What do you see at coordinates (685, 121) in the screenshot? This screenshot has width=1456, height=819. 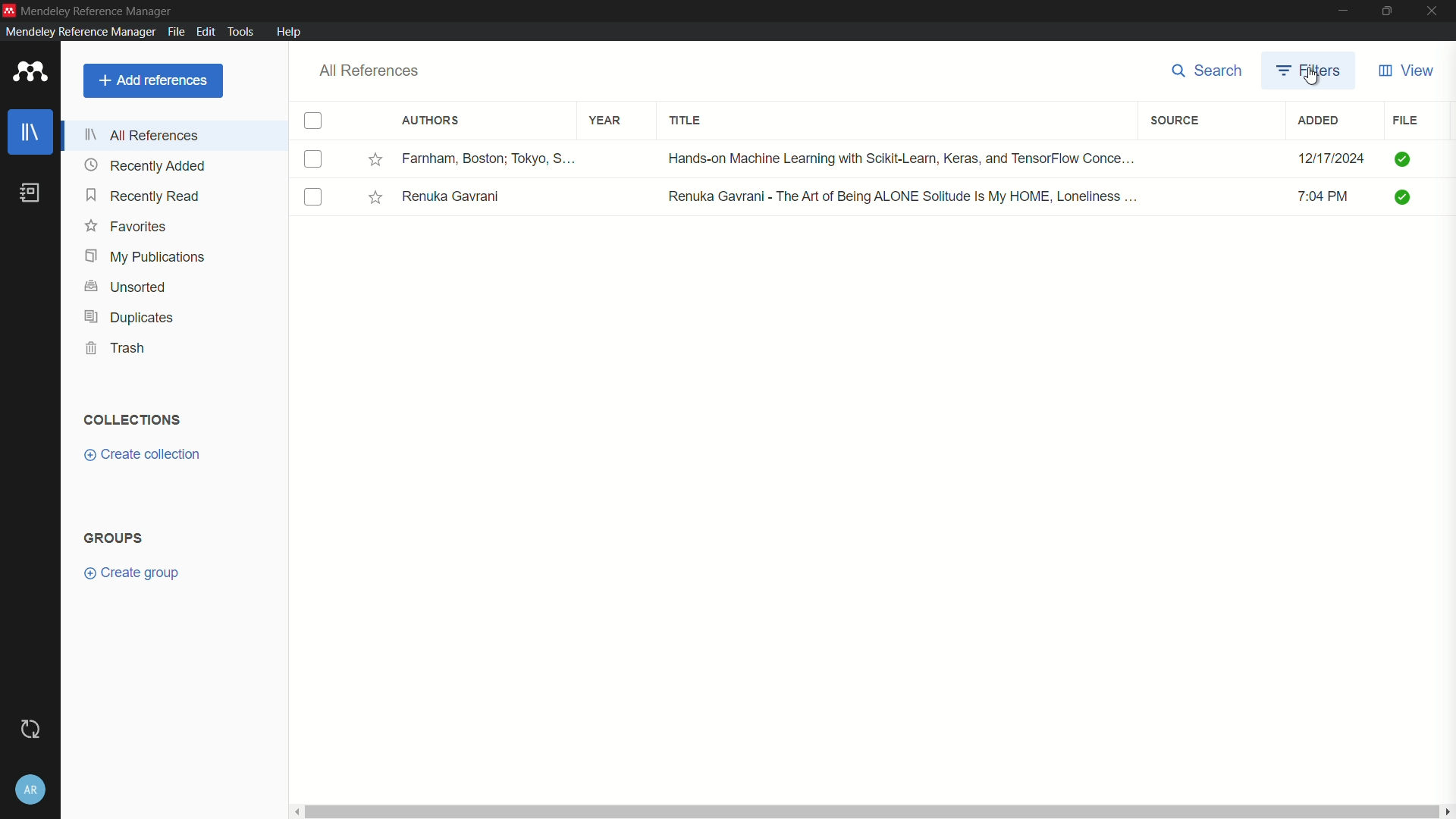 I see `title` at bounding box center [685, 121].